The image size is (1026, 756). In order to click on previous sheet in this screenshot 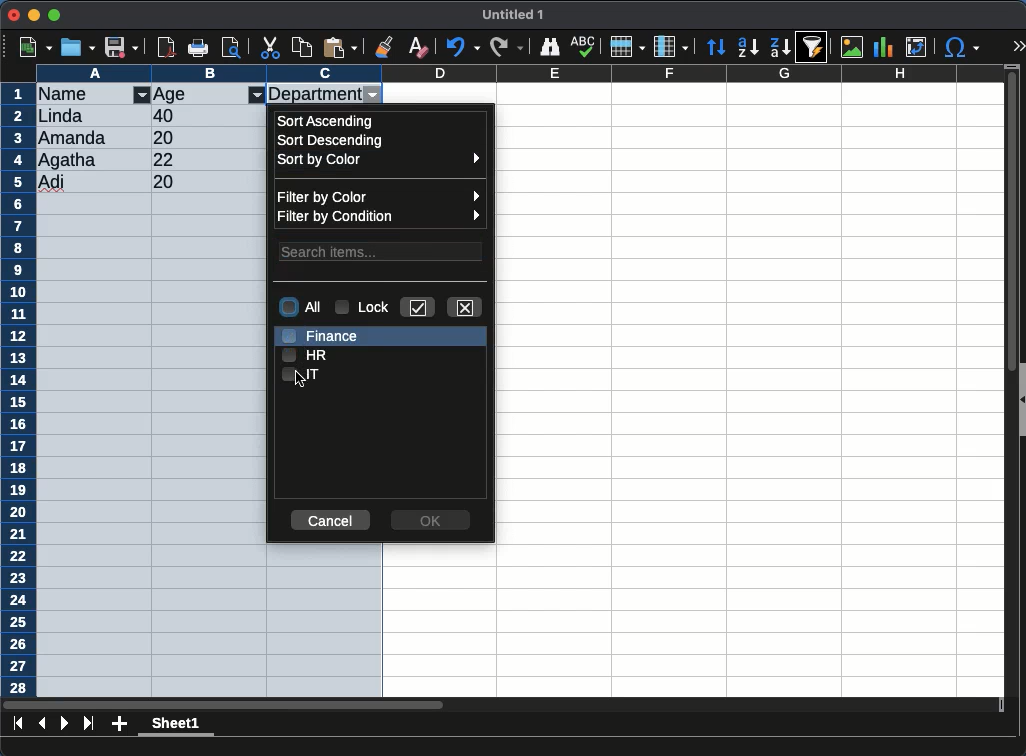, I will do `click(44, 722)`.